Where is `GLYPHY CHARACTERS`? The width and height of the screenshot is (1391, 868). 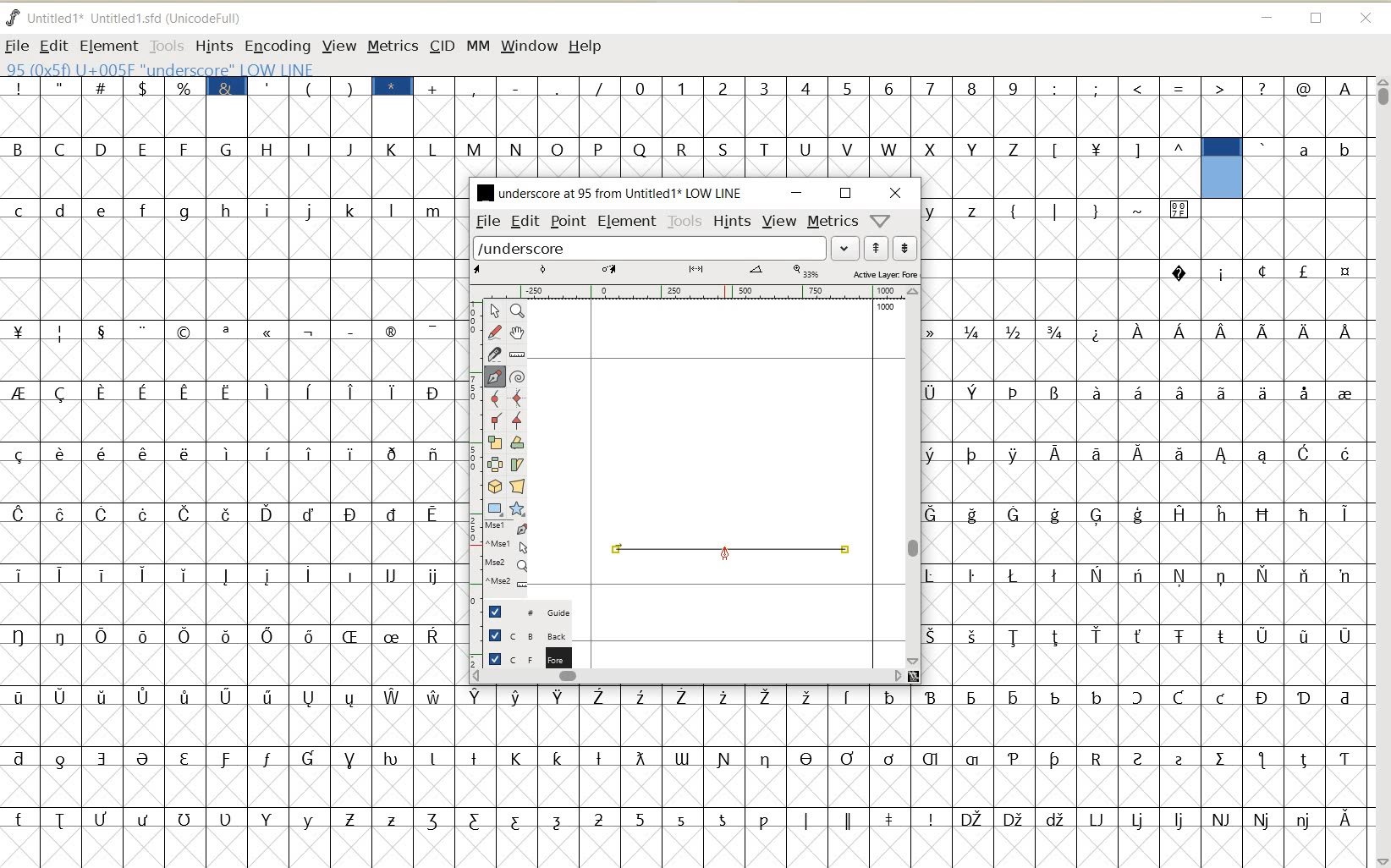
GLYPHY CHARACTERS is located at coordinates (229, 461).